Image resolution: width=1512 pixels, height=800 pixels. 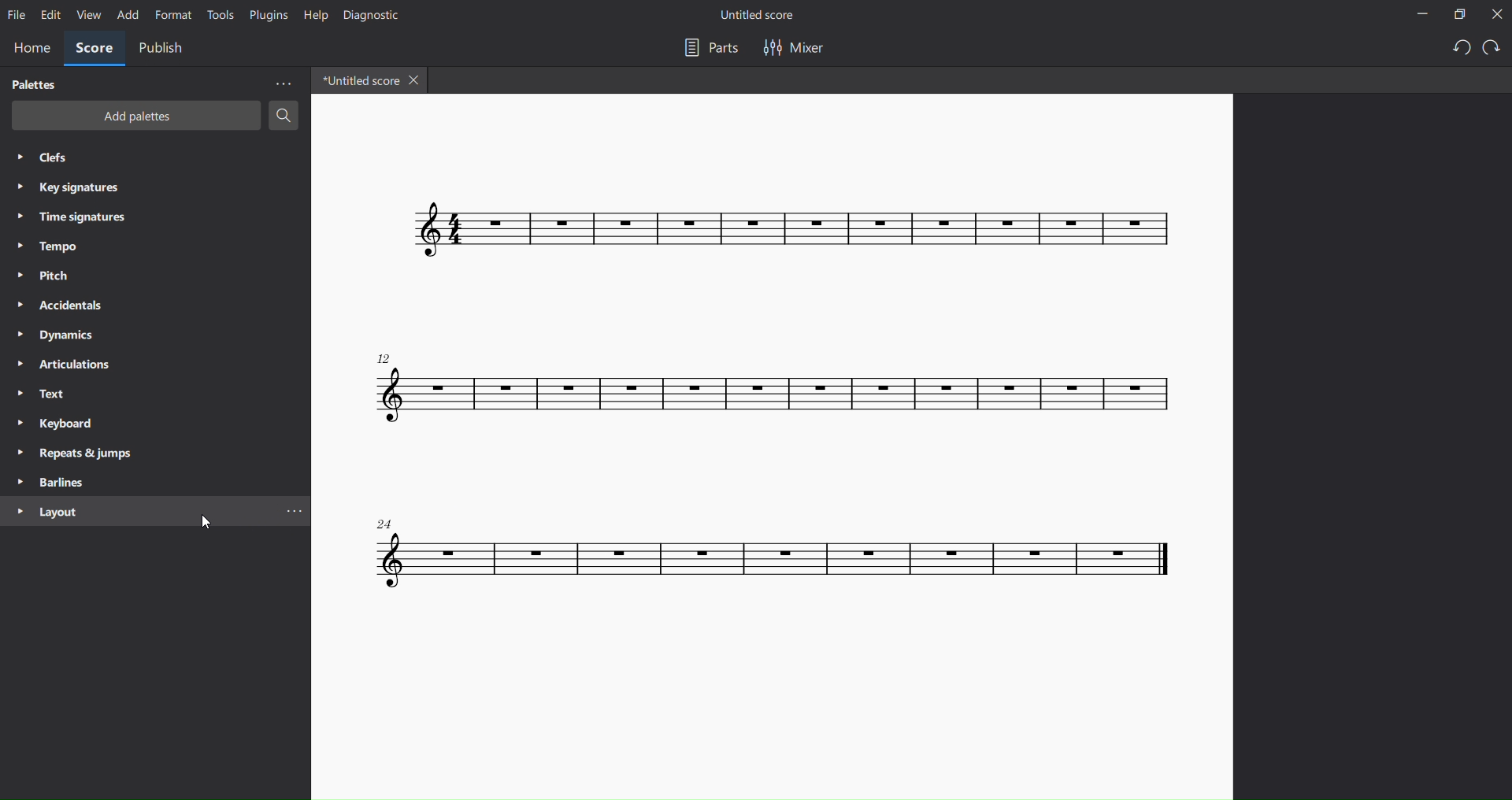 What do you see at coordinates (793, 47) in the screenshot?
I see `mixer` at bounding box center [793, 47].